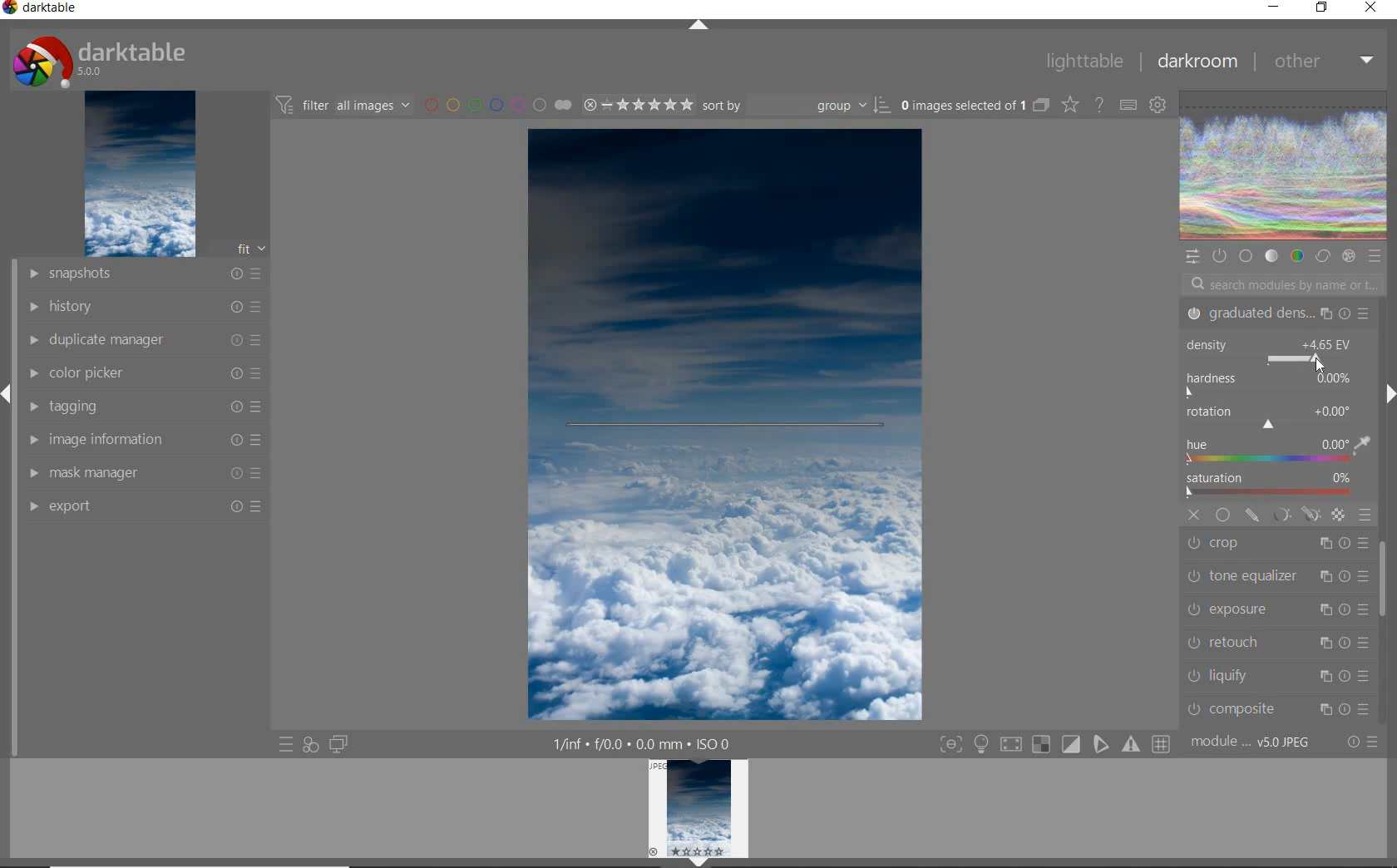  Describe the element at coordinates (285, 745) in the screenshot. I see `QUICK ACCESS TO PRESET` at that location.